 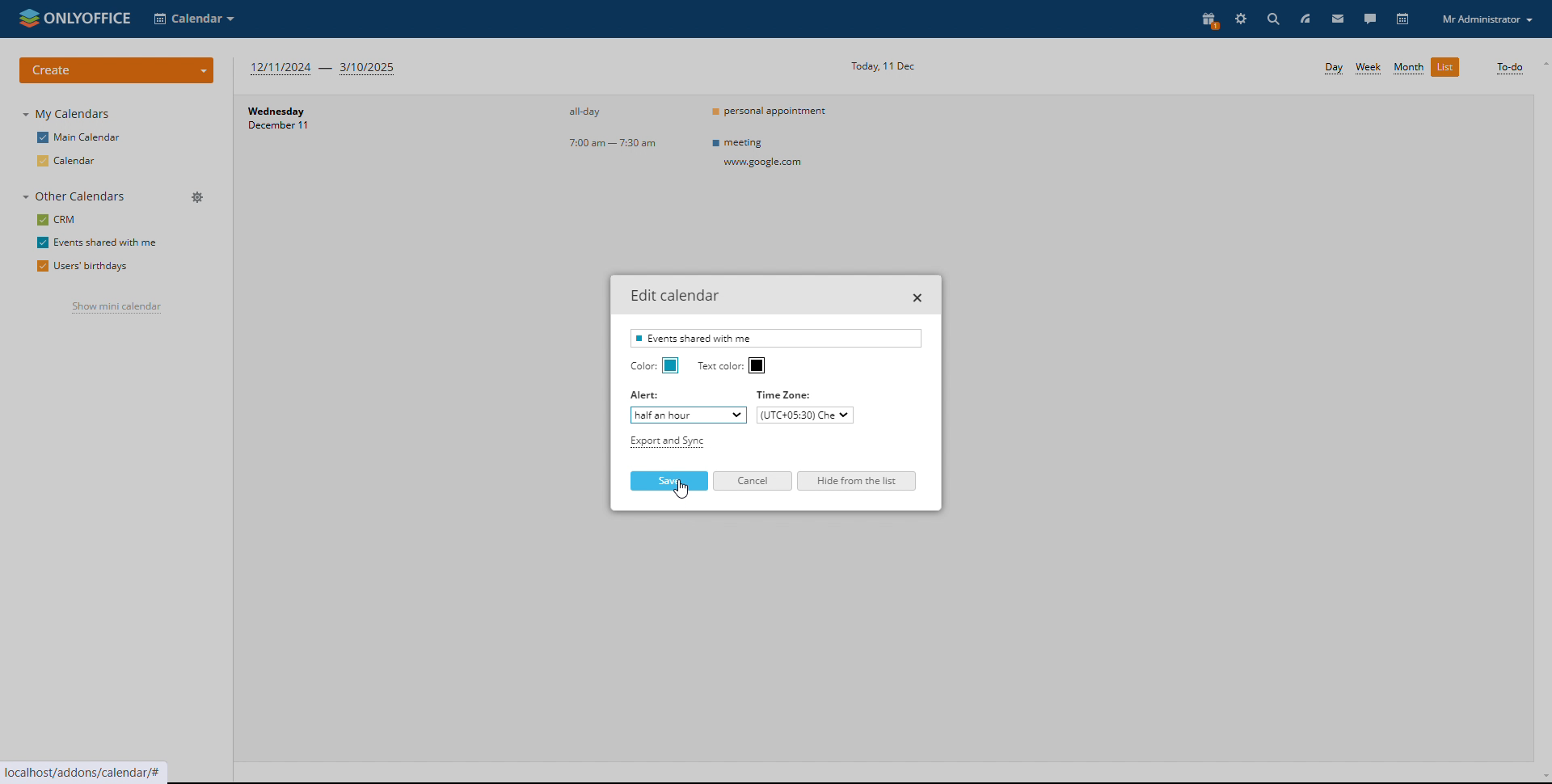 What do you see at coordinates (66, 114) in the screenshot?
I see `my calendars` at bounding box center [66, 114].